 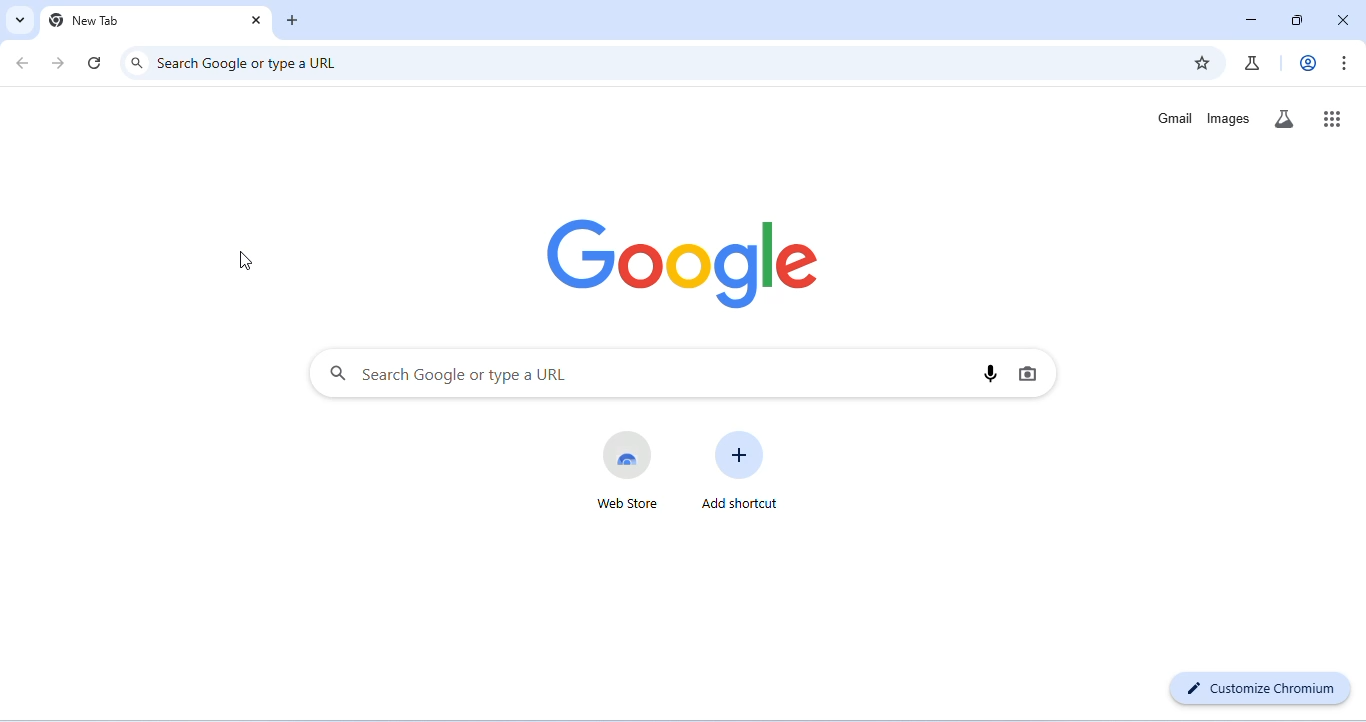 What do you see at coordinates (23, 62) in the screenshot?
I see `go back` at bounding box center [23, 62].